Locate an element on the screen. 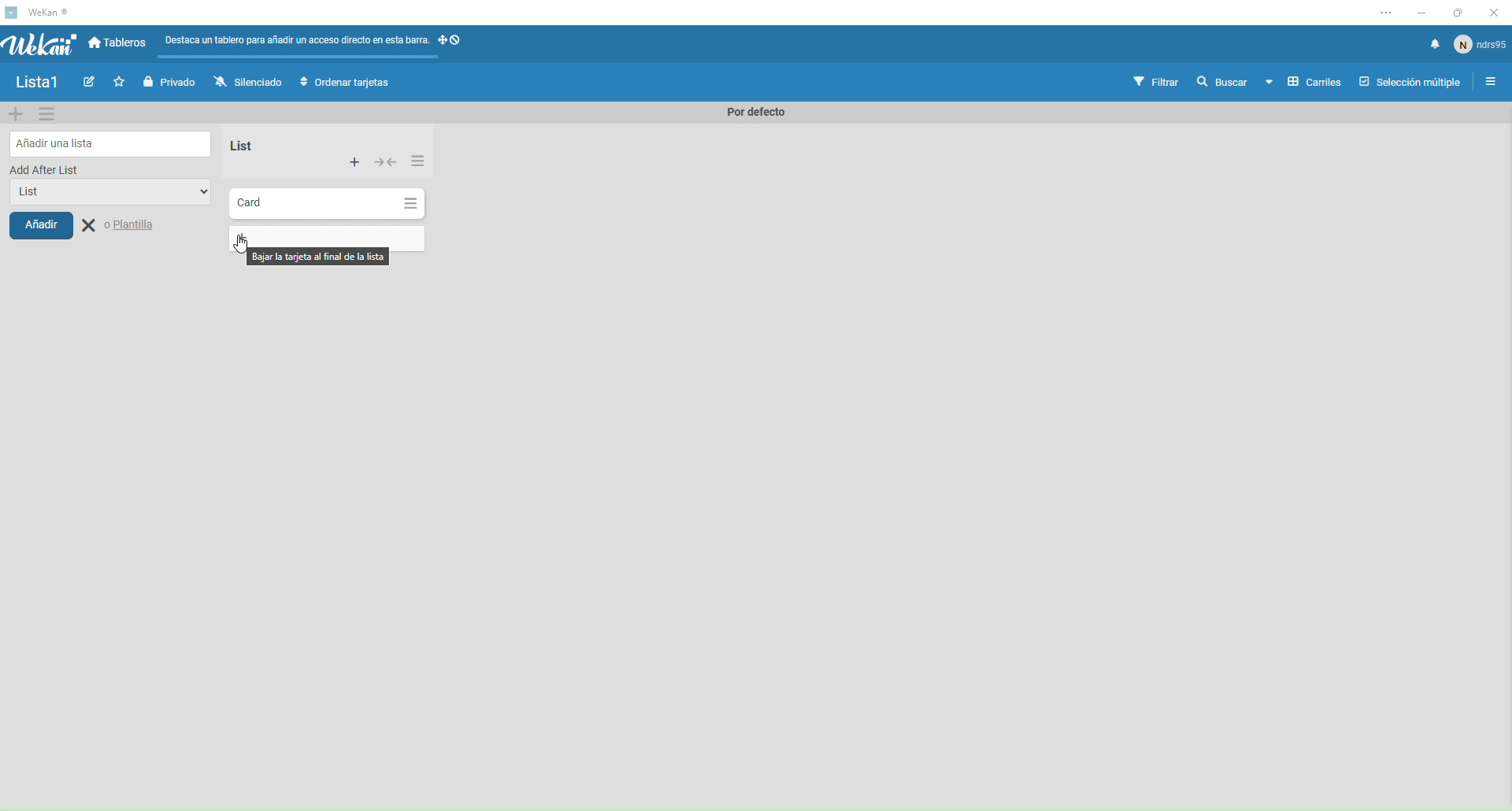  card options is located at coordinates (410, 204).